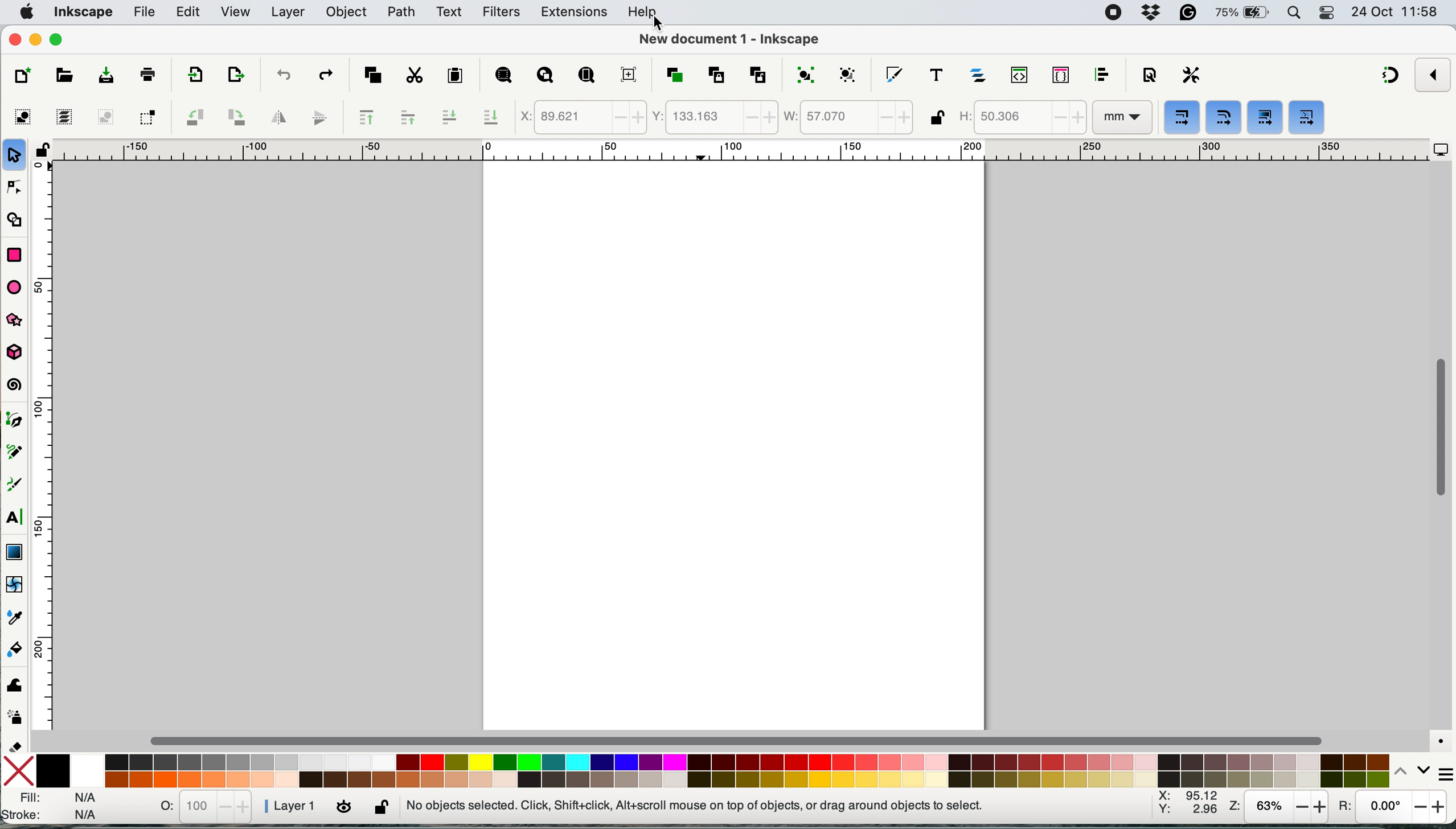  Describe the element at coordinates (285, 74) in the screenshot. I see `undo` at that location.